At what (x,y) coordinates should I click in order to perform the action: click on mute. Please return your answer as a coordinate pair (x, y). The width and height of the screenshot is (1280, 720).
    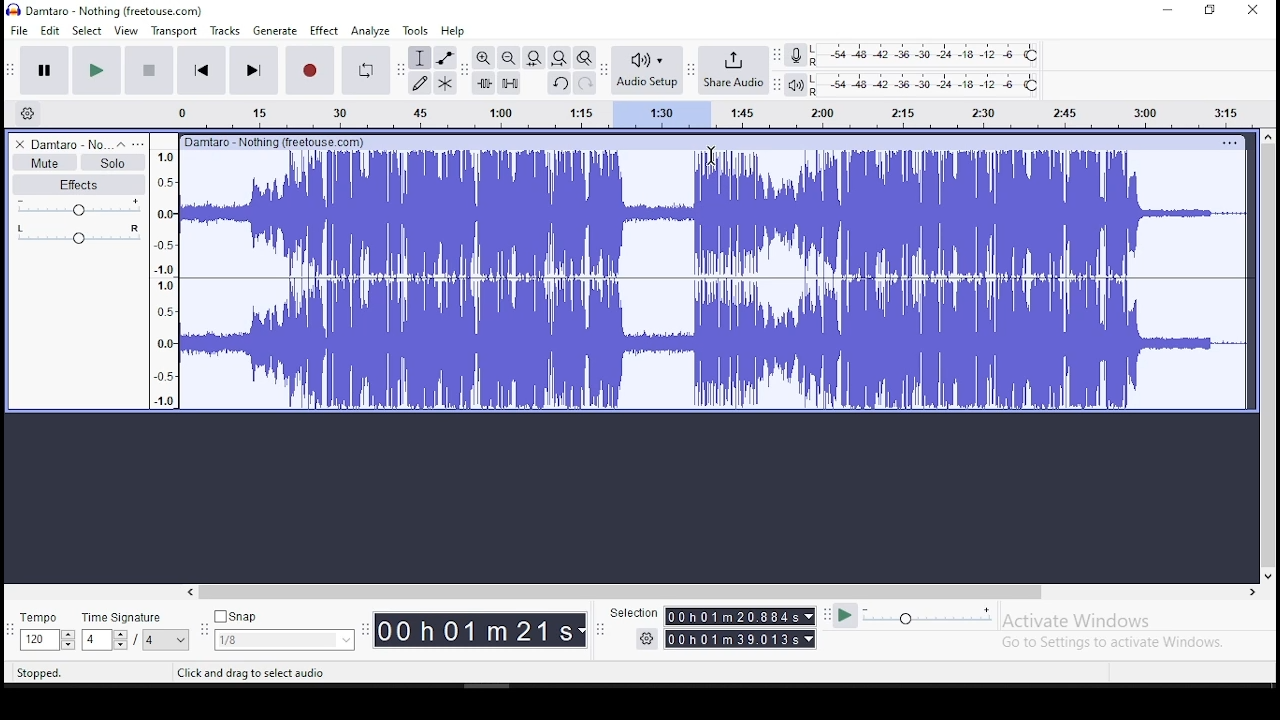
    Looking at the image, I should click on (44, 163).